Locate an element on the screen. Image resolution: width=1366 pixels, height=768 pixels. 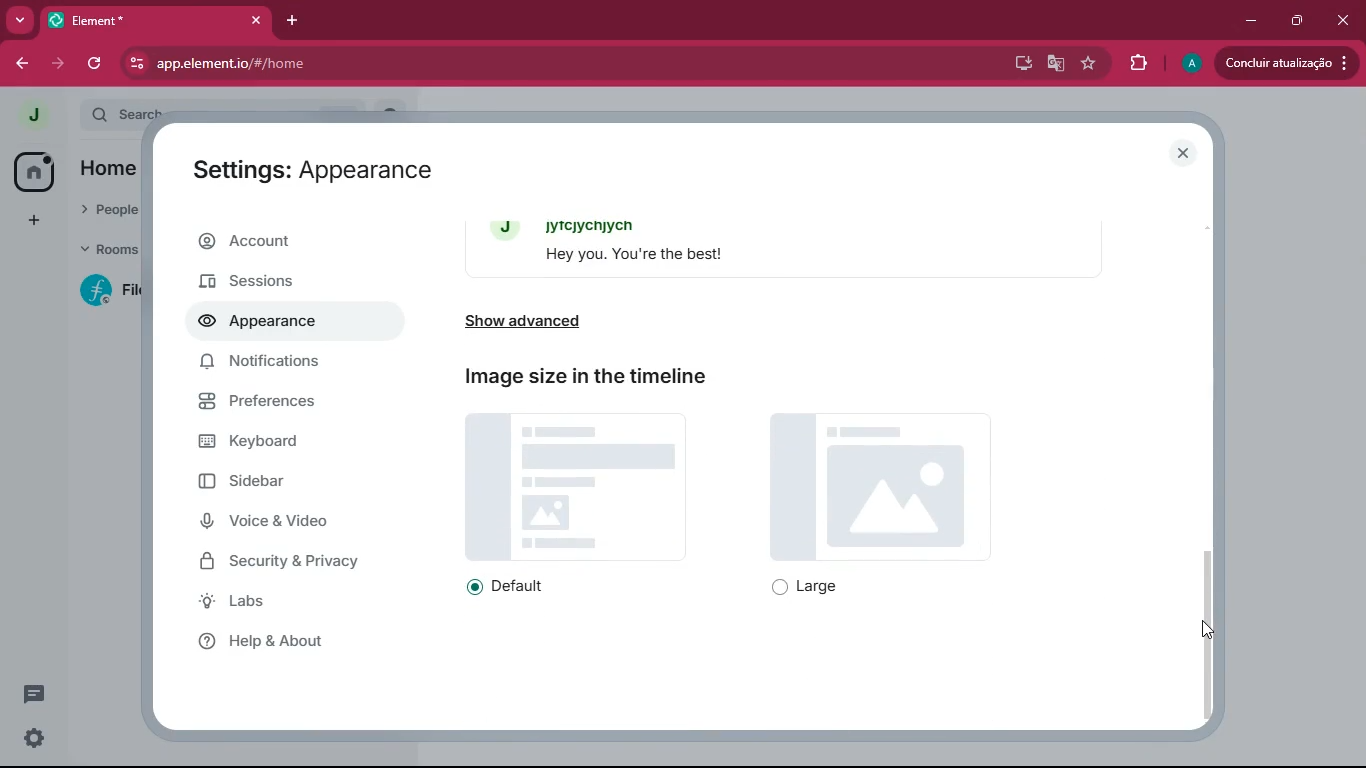
profile is located at coordinates (1188, 63).